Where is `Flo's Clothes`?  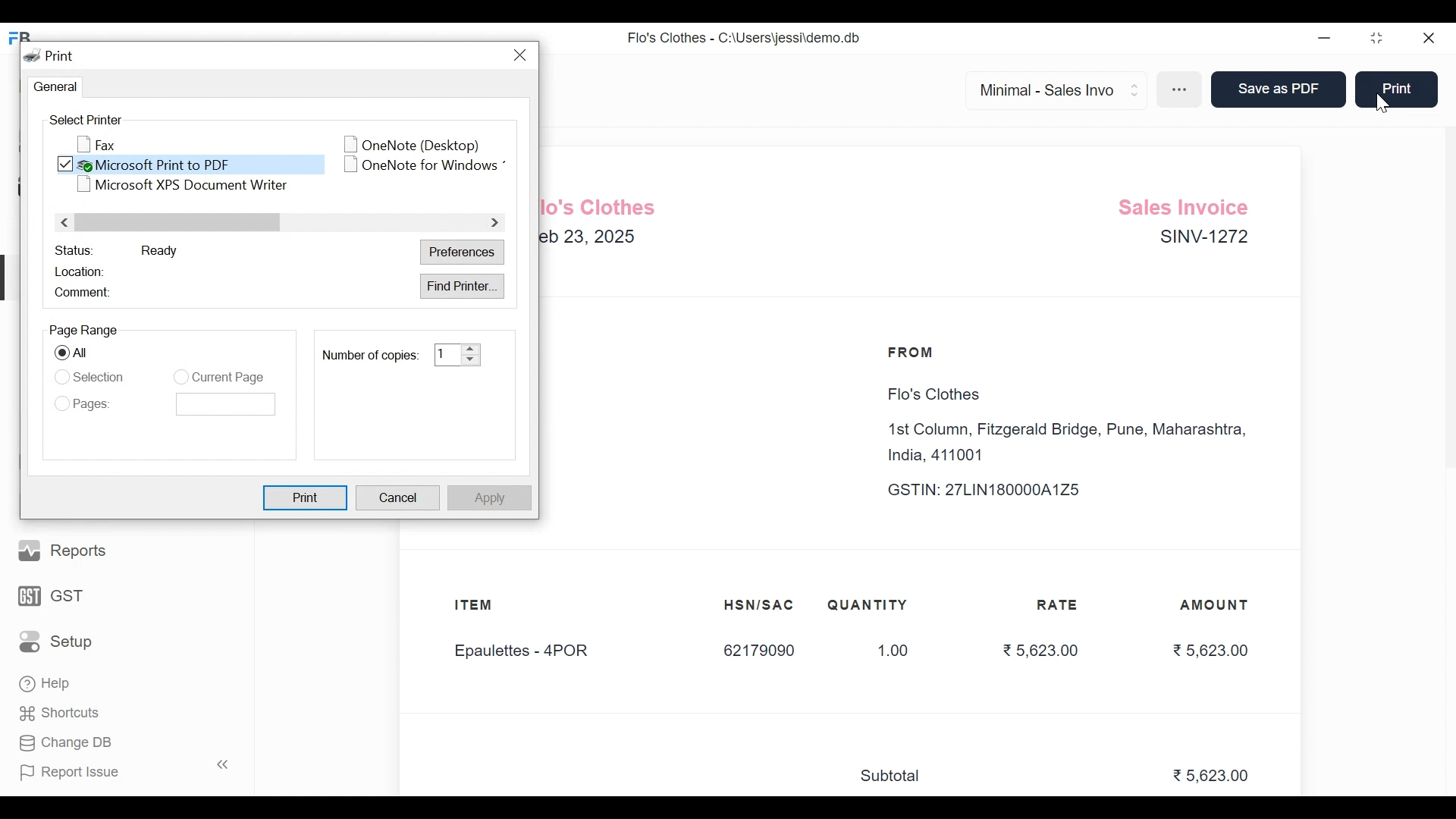 Flo's Clothes is located at coordinates (930, 395).